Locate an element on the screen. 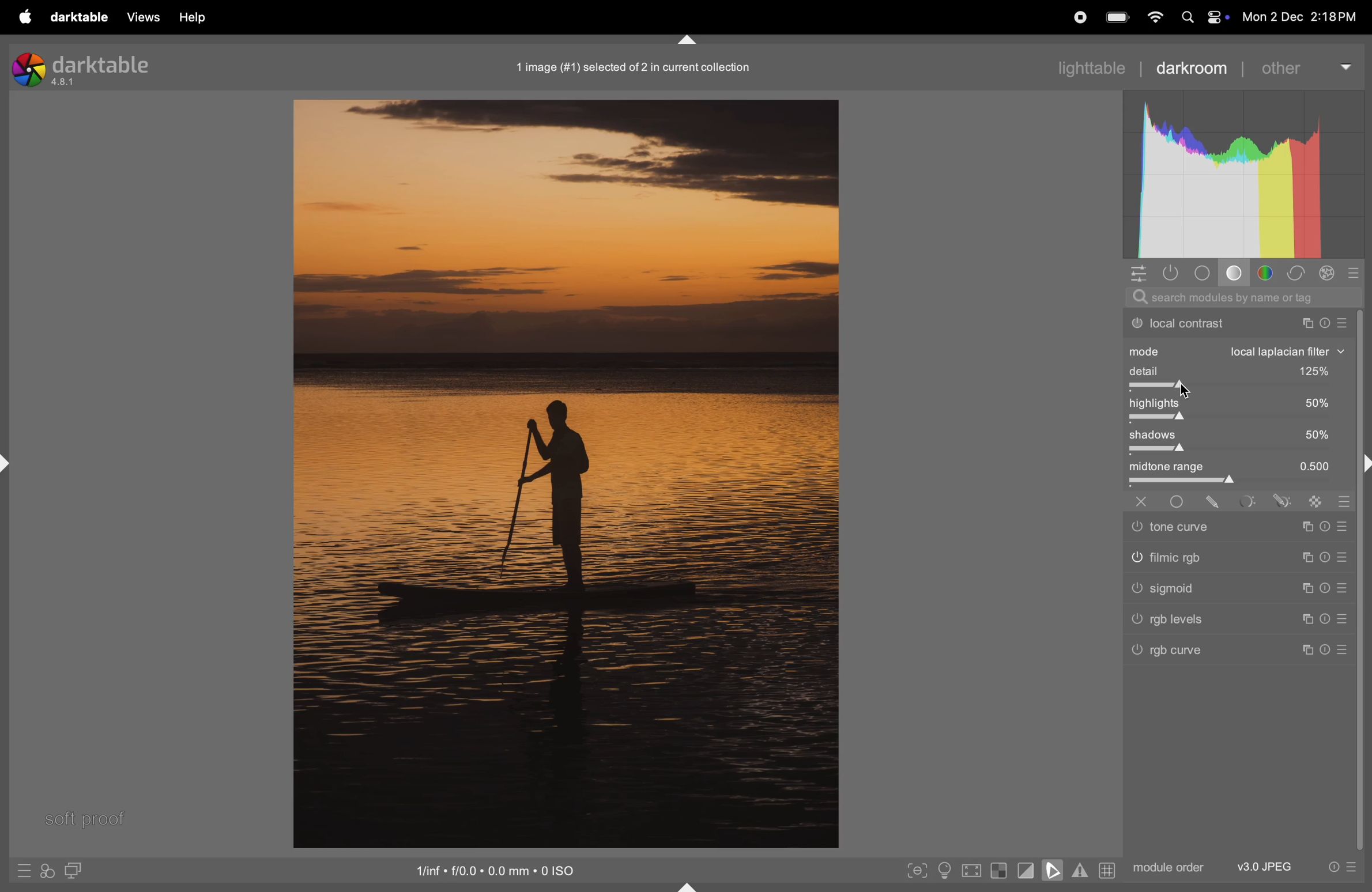   is located at coordinates (1328, 650).